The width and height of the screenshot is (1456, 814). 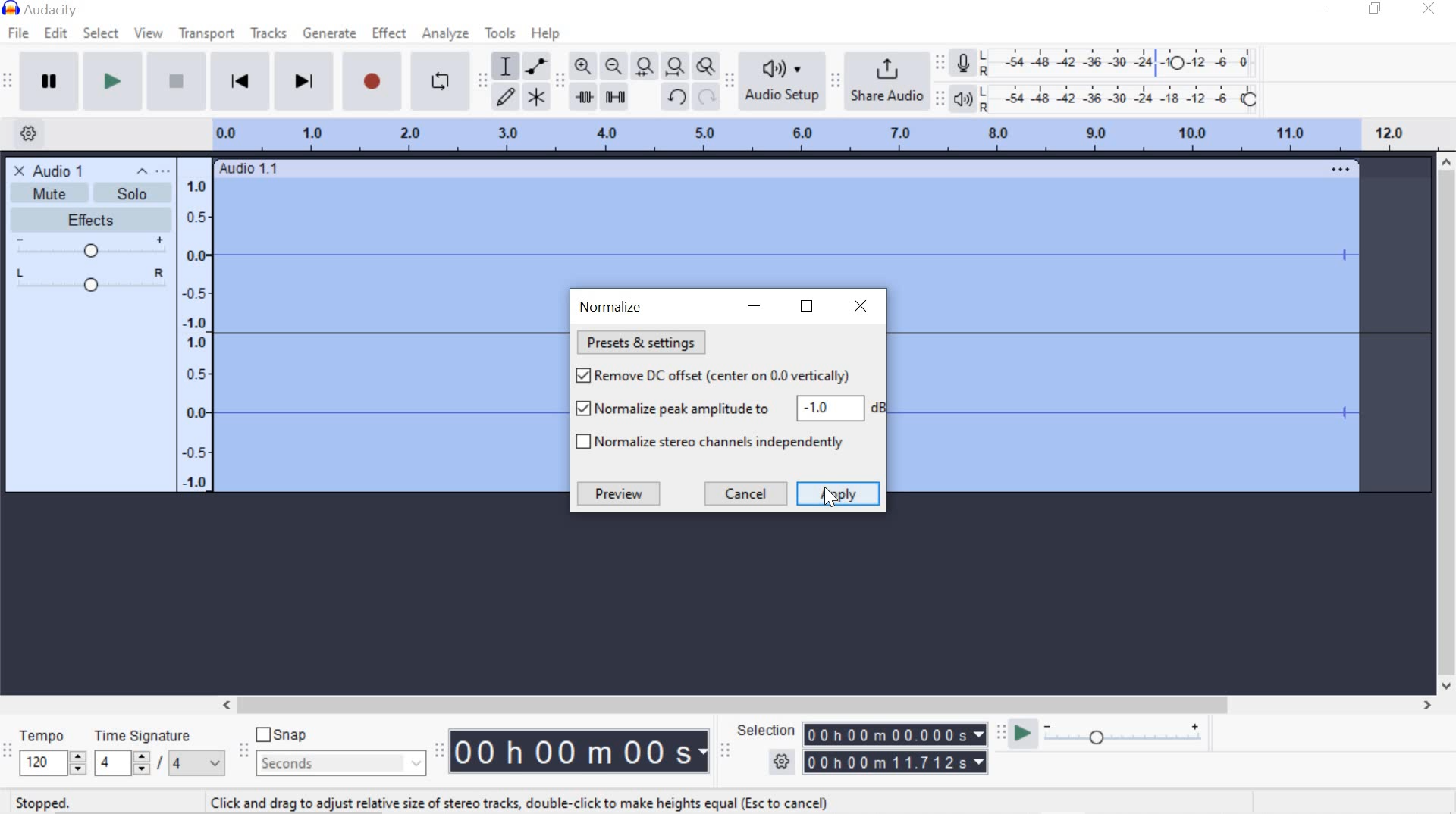 I want to click on help, so click(x=542, y=33).